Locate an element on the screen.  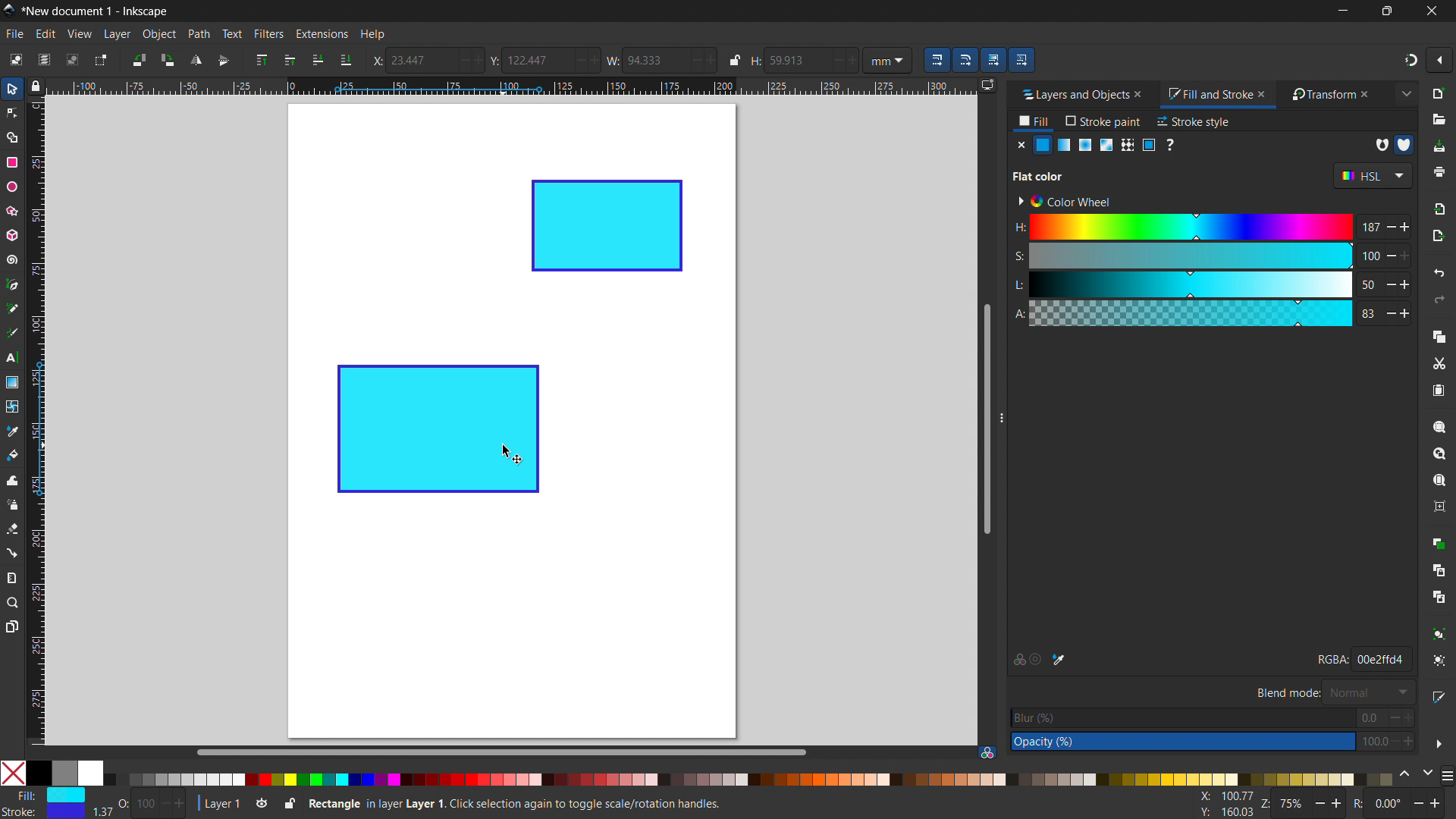
R: 0.00 is located at coordinates (1401, 805).